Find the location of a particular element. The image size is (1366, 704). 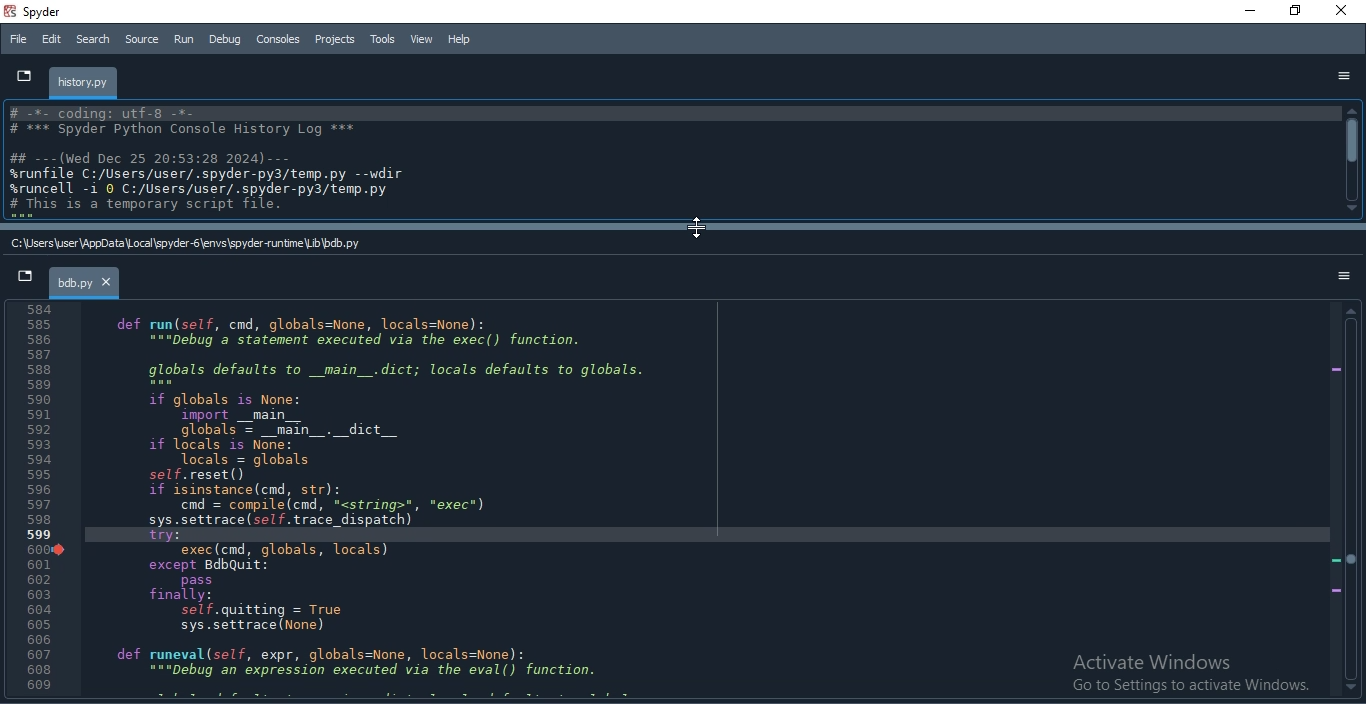

minimise is located at coordinates (1247, 12).